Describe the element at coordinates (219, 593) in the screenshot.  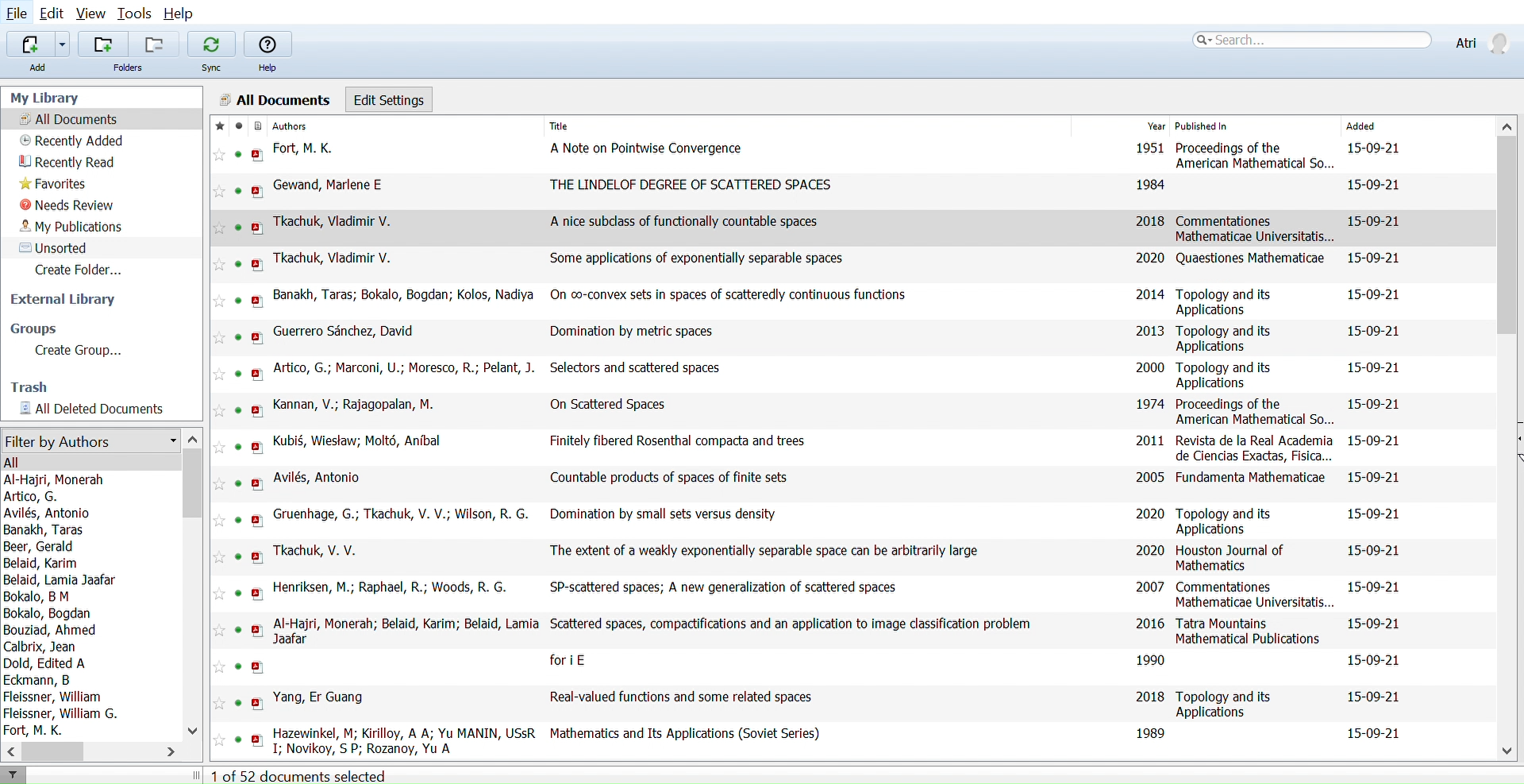
I see `Add this reference to favorites` at that location.